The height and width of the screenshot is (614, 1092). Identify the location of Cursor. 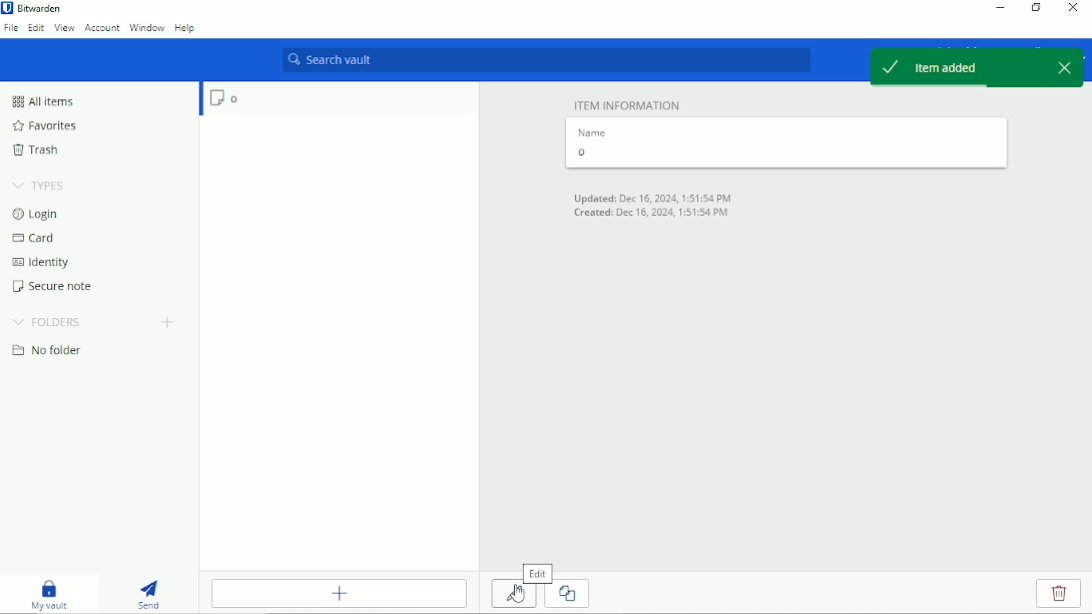
(517, 595).